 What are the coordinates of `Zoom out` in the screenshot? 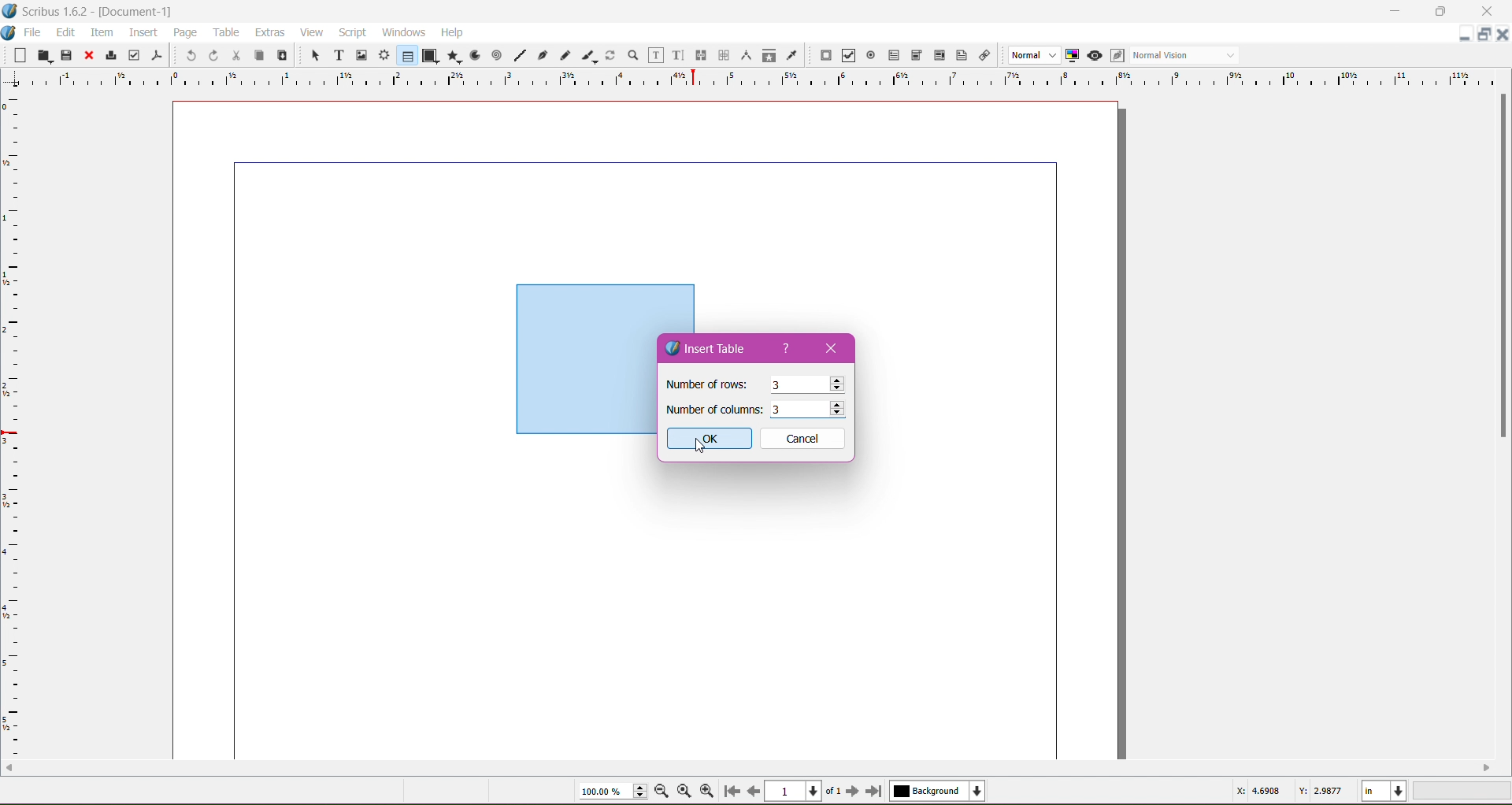 It's located at (665, 790).